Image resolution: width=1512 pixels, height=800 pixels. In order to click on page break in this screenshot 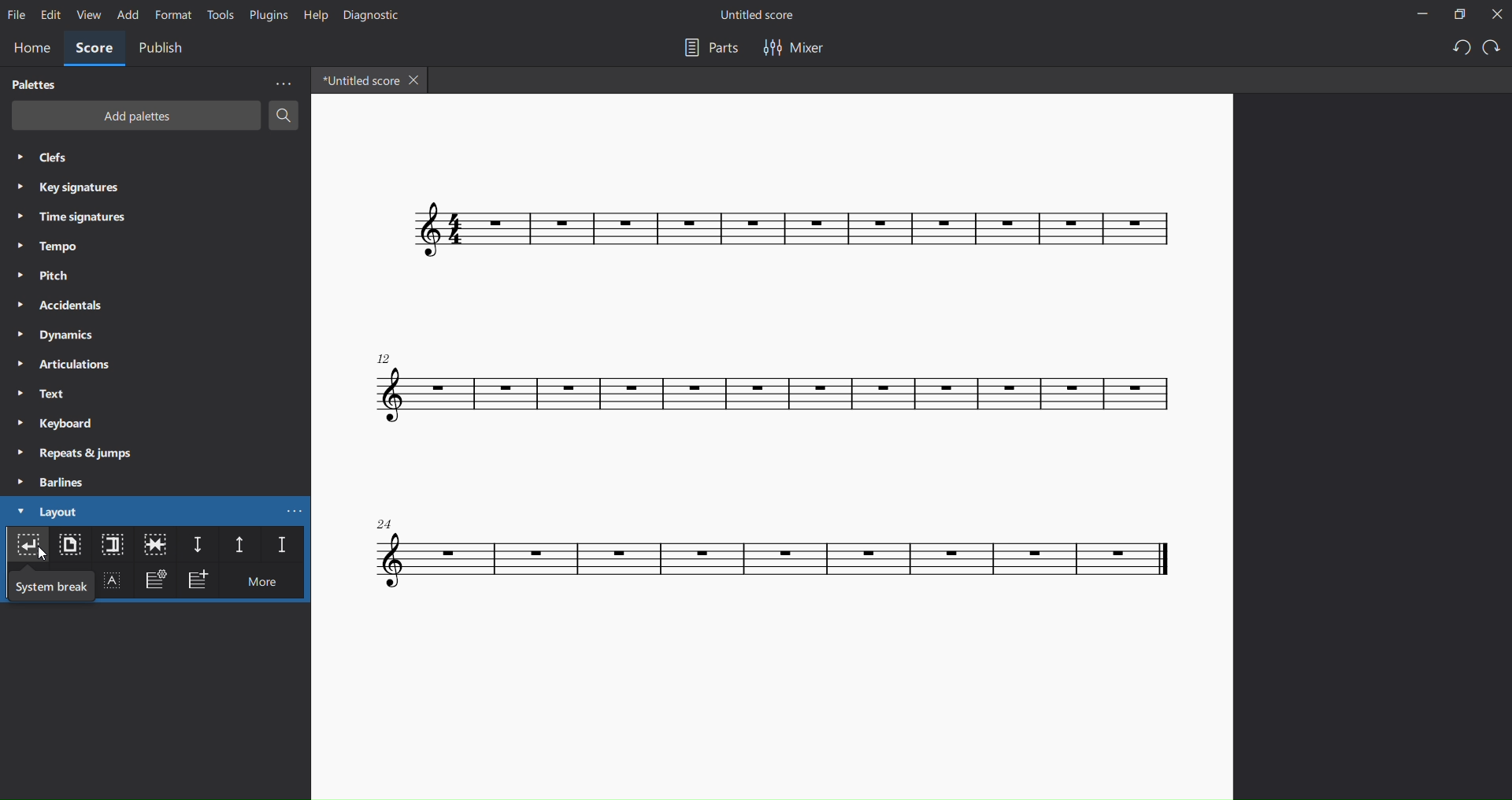, I will do `click(71, 547)`.